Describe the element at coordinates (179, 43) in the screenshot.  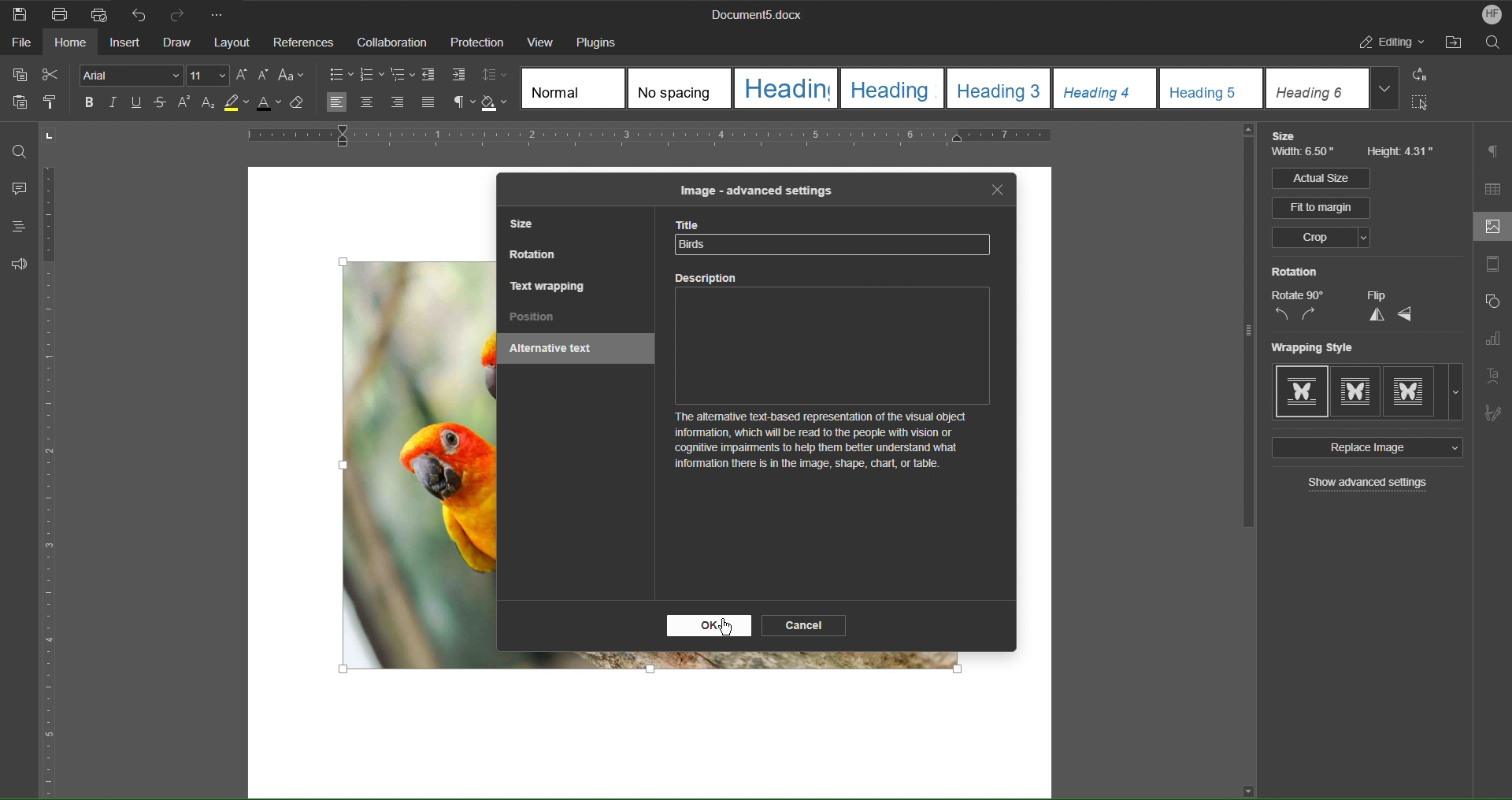
I see `Draw` at that location.